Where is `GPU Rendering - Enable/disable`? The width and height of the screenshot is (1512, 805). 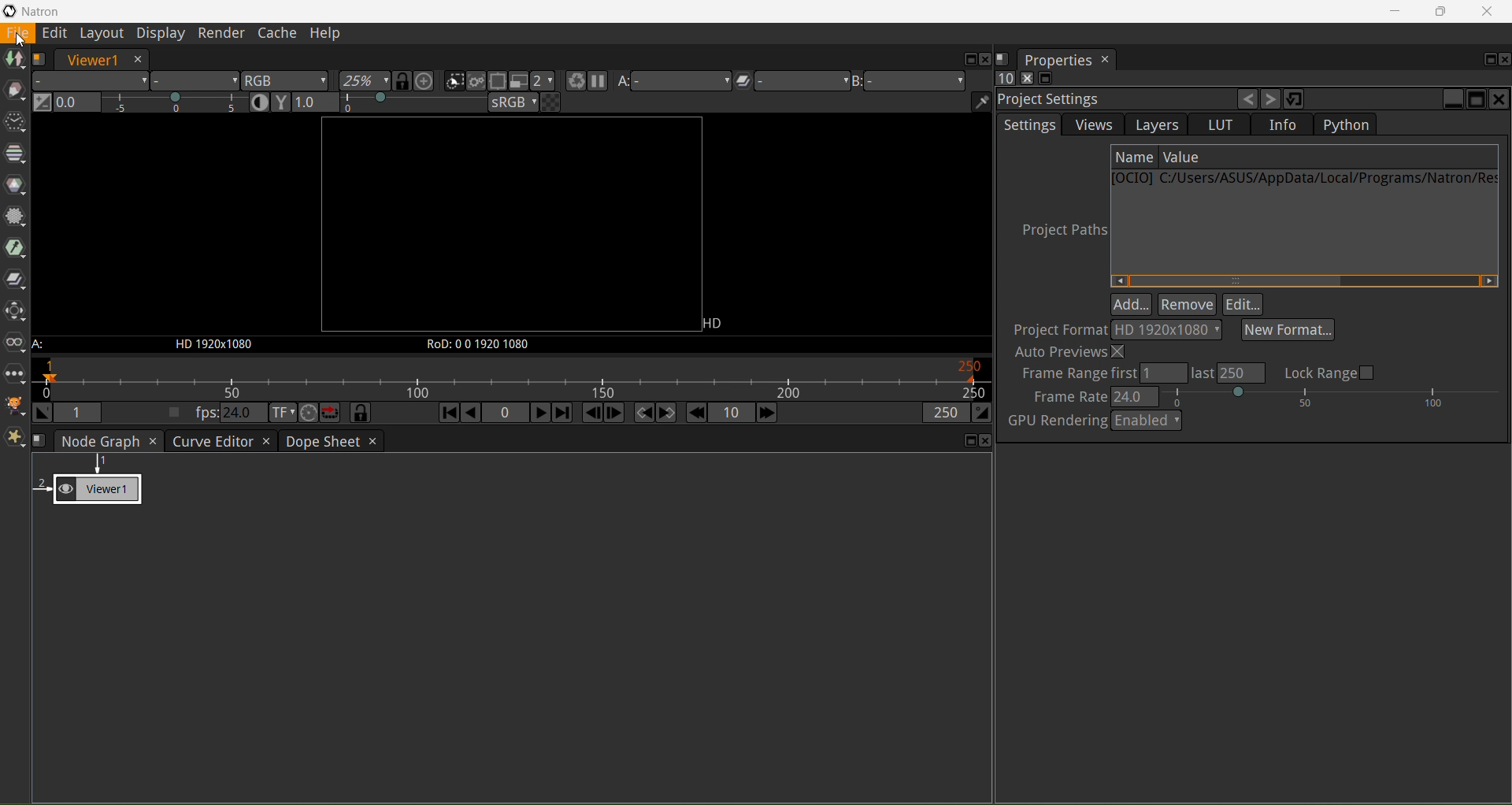 GPU Rendering - Enable/disable is located at coordinates (1094, 422).